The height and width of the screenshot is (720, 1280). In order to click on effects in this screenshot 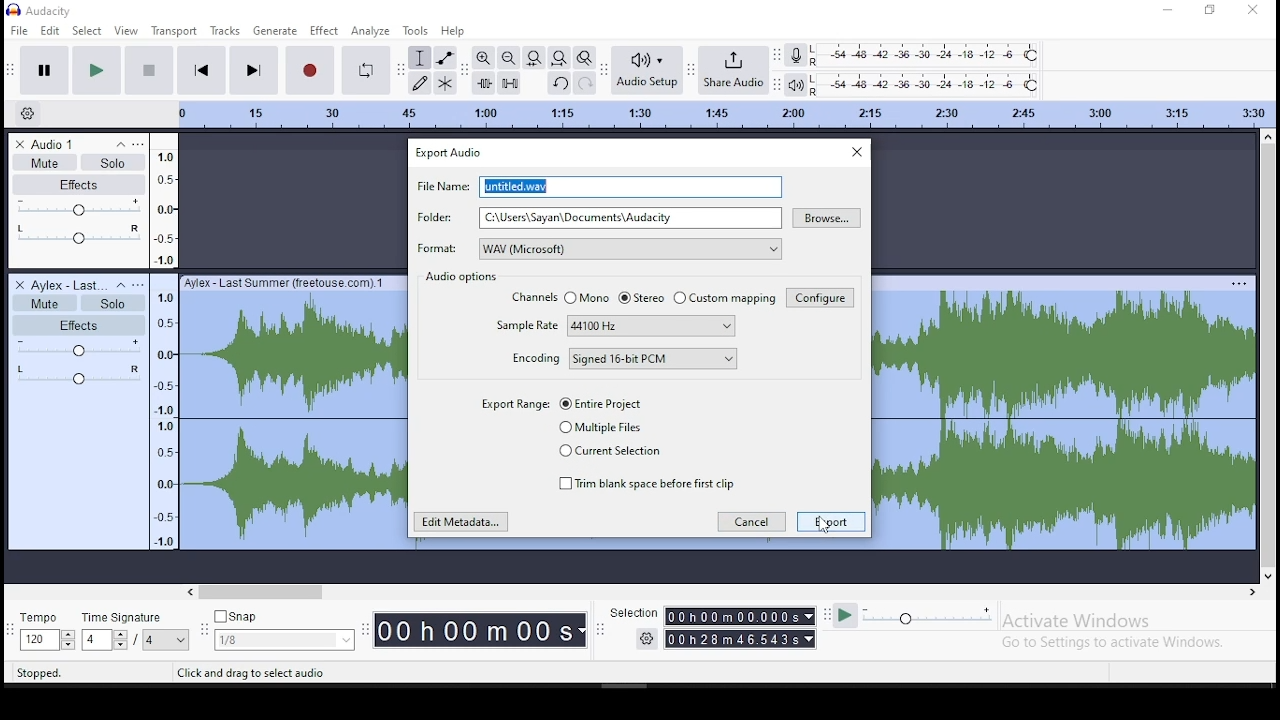, I will do `click(75, 323)`.